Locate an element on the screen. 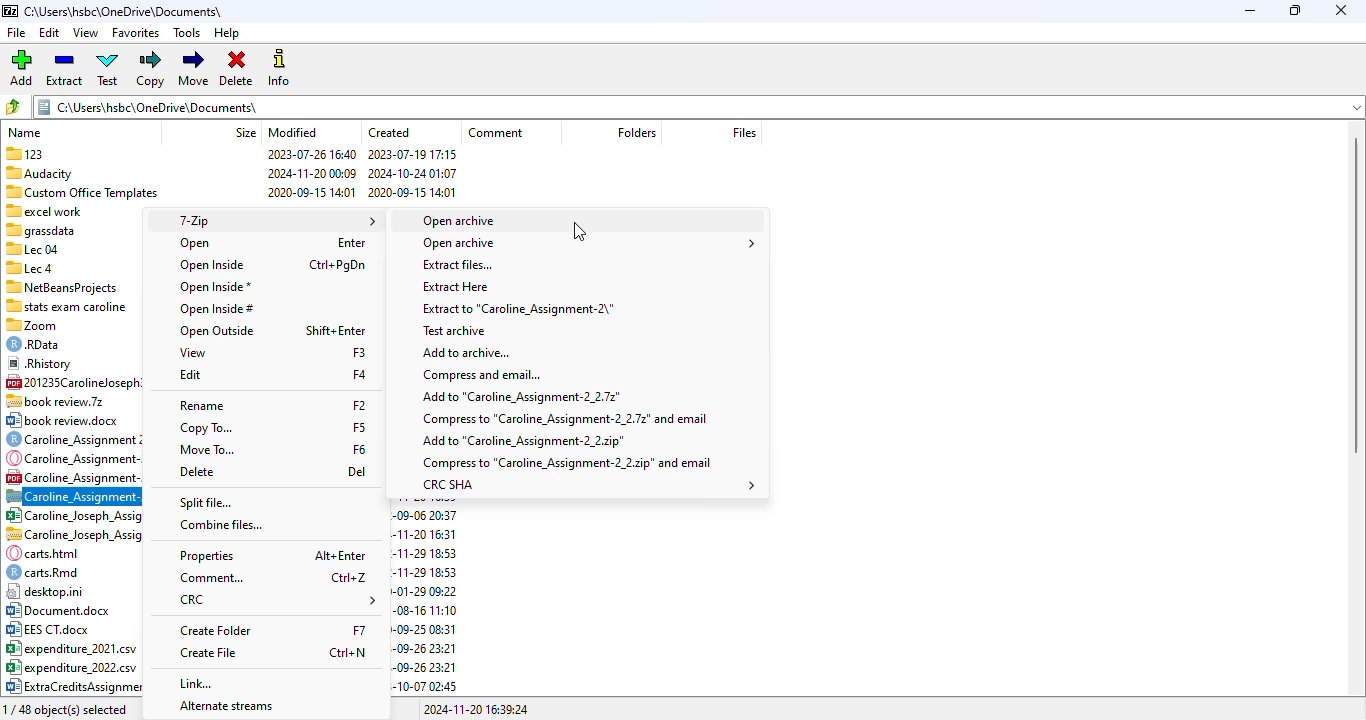  ® Rhistory 92456 2024-02-2800:24 2022-11-26 17:25 is located at coordinates (71, 362).